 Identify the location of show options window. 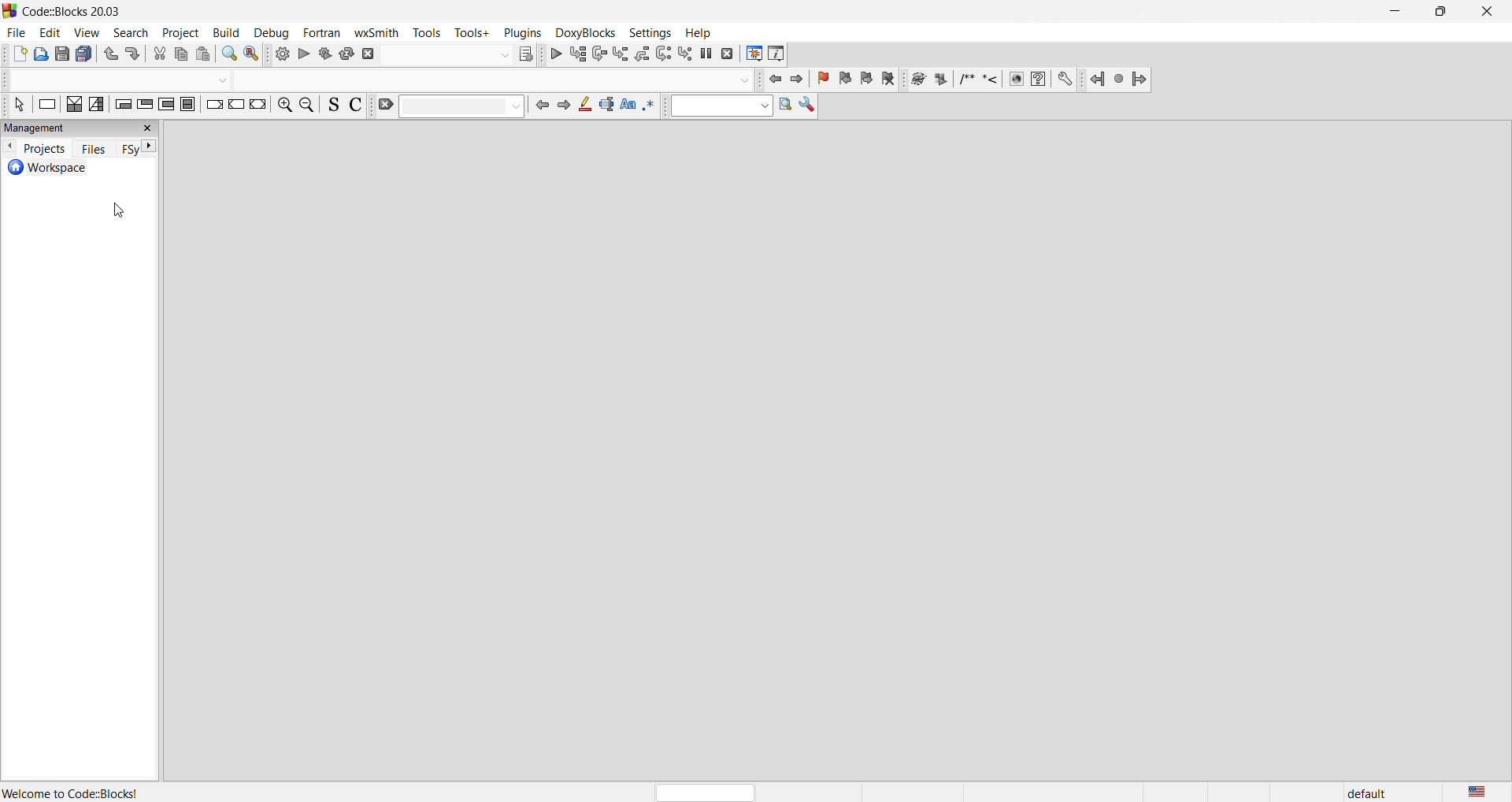
(808, 107).